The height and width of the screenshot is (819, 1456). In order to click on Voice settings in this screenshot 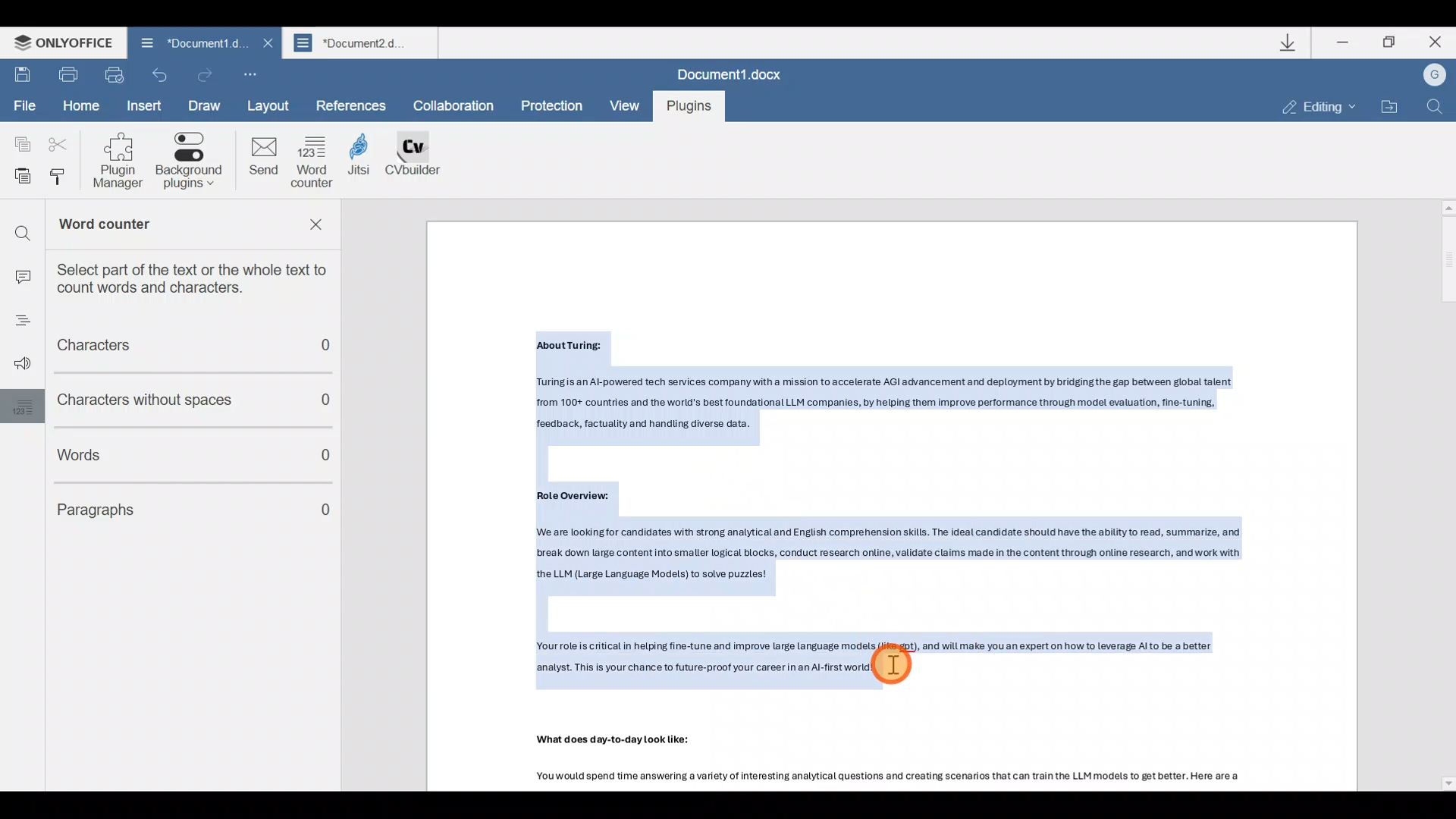, I will do `click(18, 365)`.